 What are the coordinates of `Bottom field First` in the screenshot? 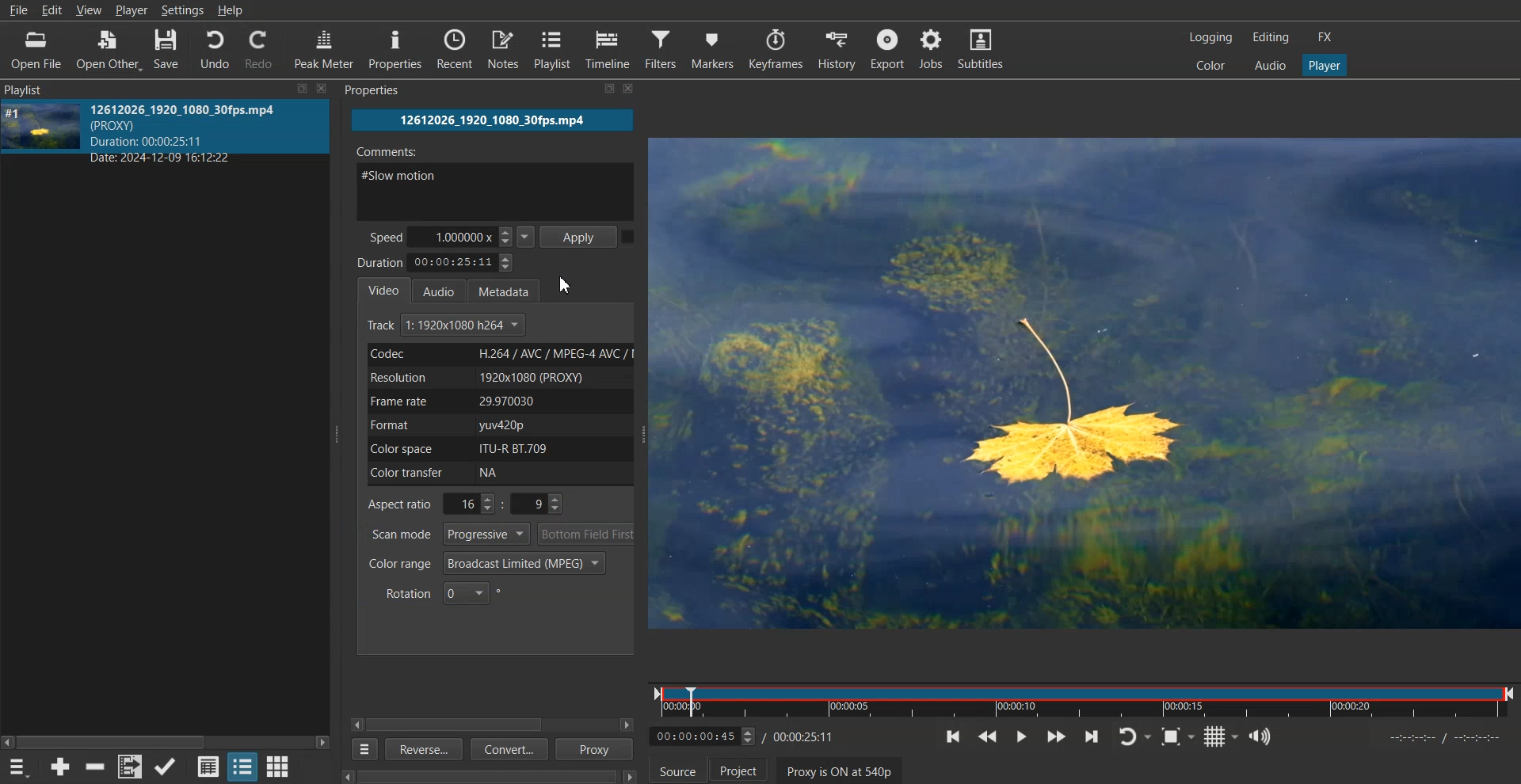 It's located at (587, 534).